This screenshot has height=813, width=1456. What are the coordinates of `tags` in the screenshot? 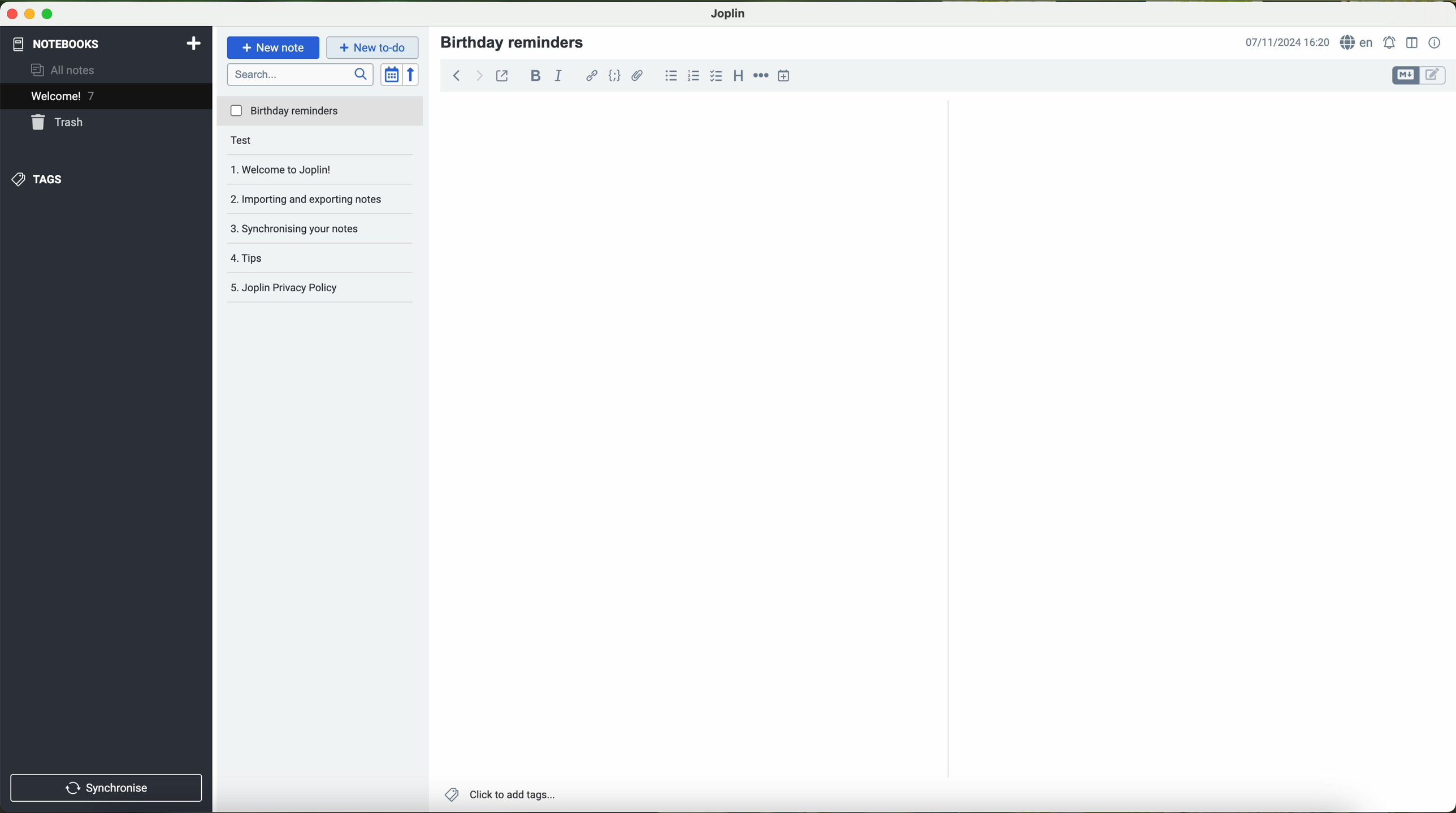 It's located at (42, 178).